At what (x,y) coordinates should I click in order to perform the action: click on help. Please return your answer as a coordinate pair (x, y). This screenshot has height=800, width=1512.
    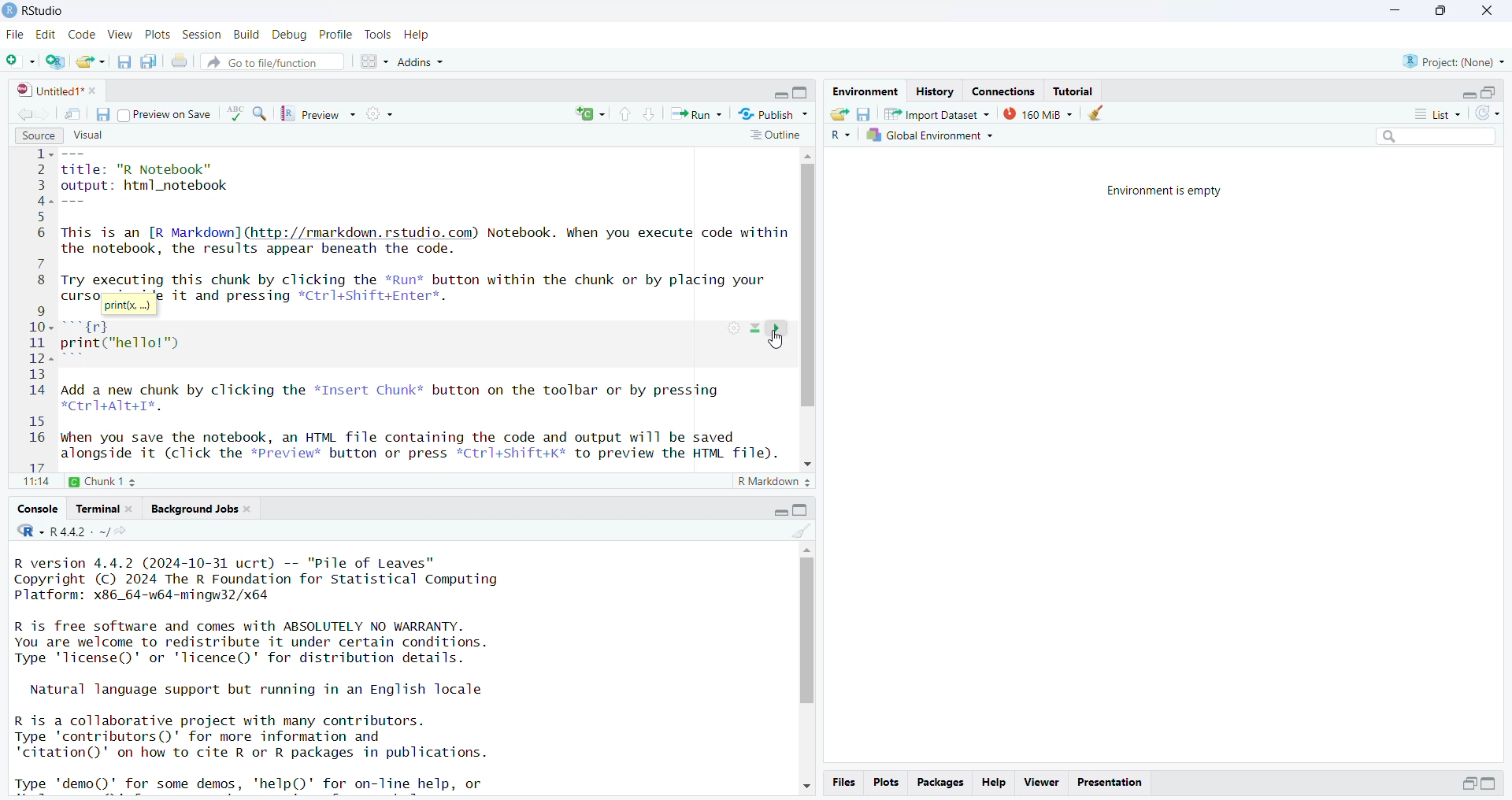
    Looking at the image, I should click on (995, 781).